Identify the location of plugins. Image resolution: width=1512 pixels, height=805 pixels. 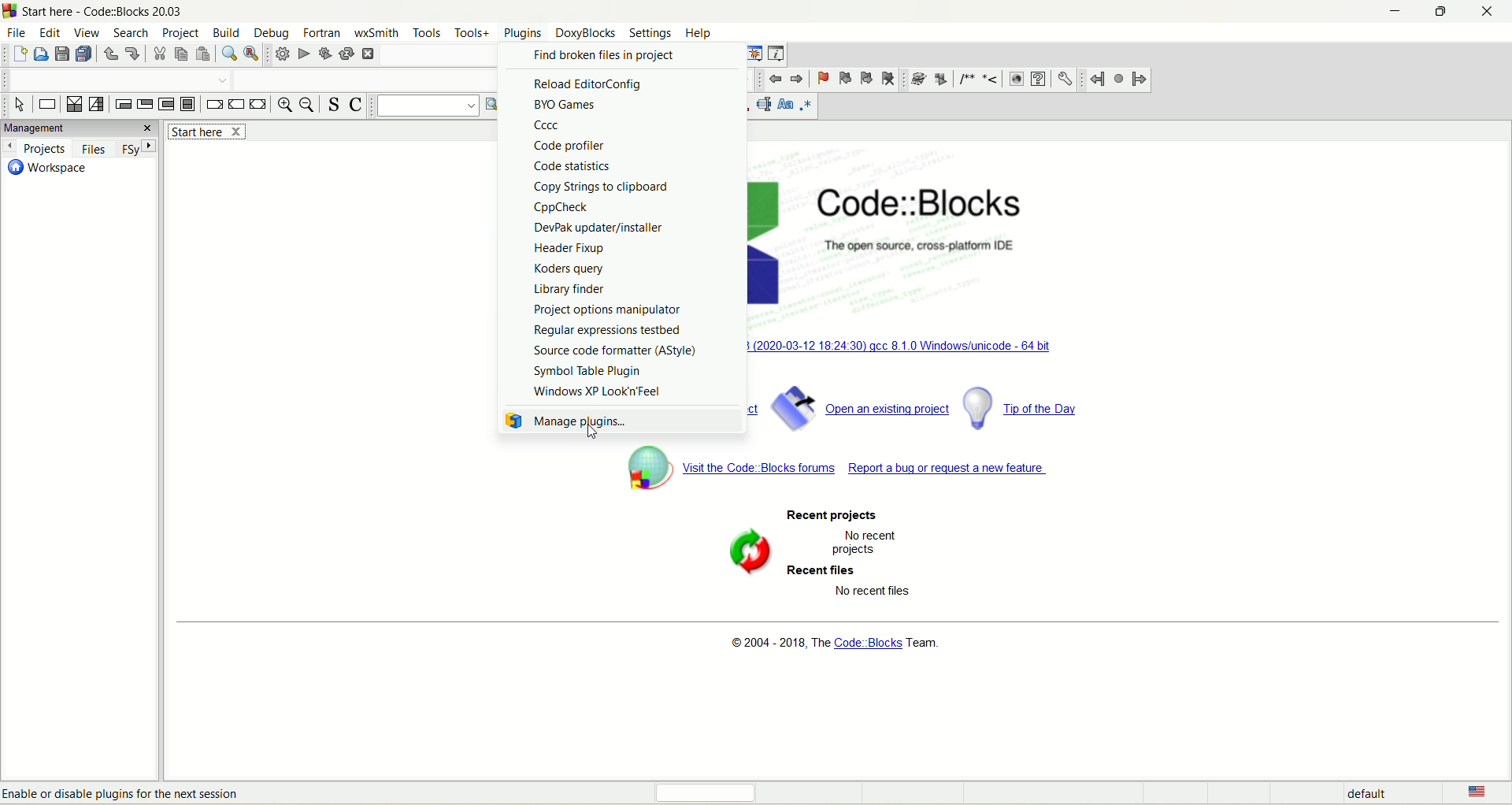
(525, 32).